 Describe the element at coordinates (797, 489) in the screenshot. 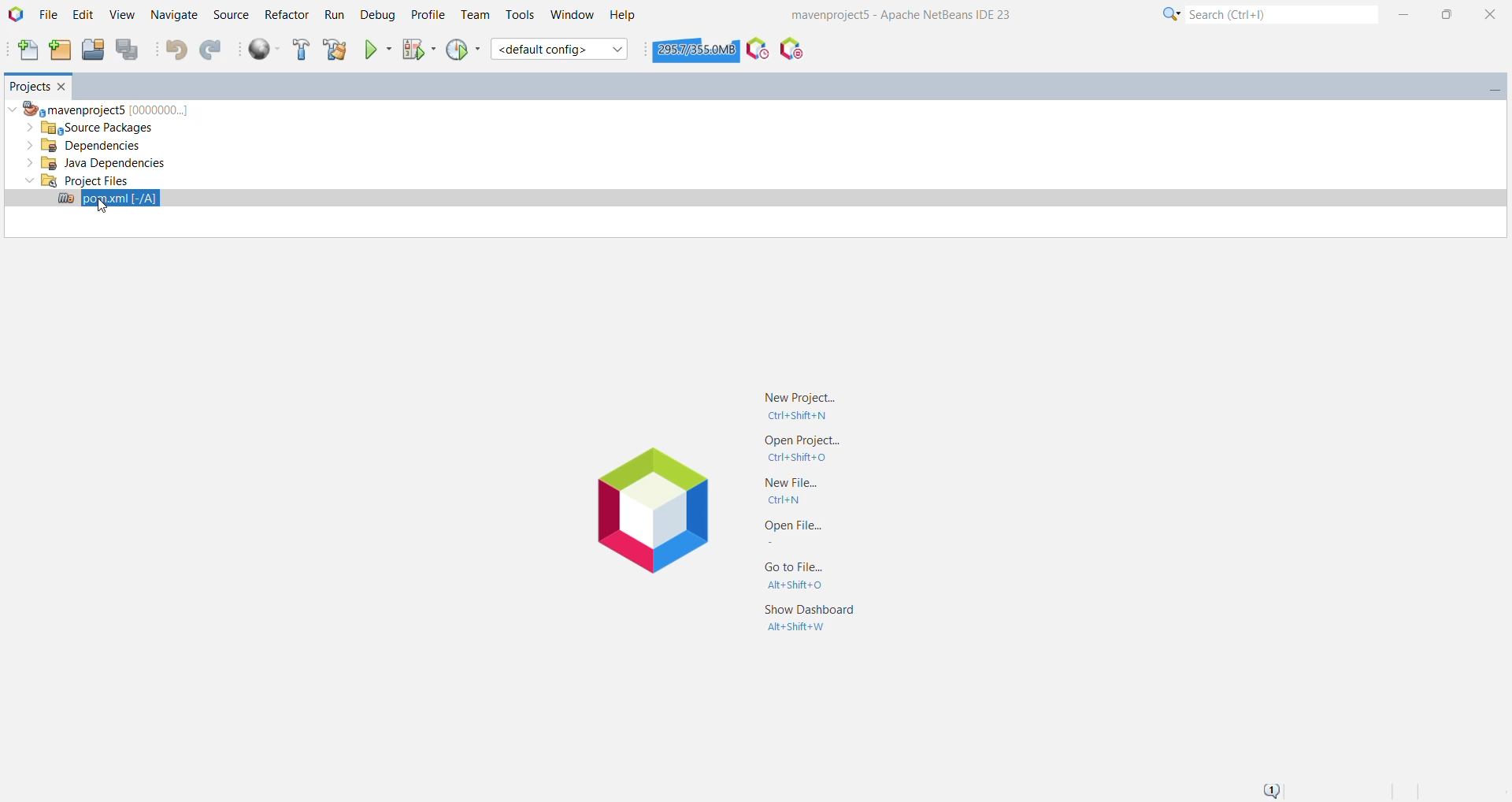

I see `New File` at that location.